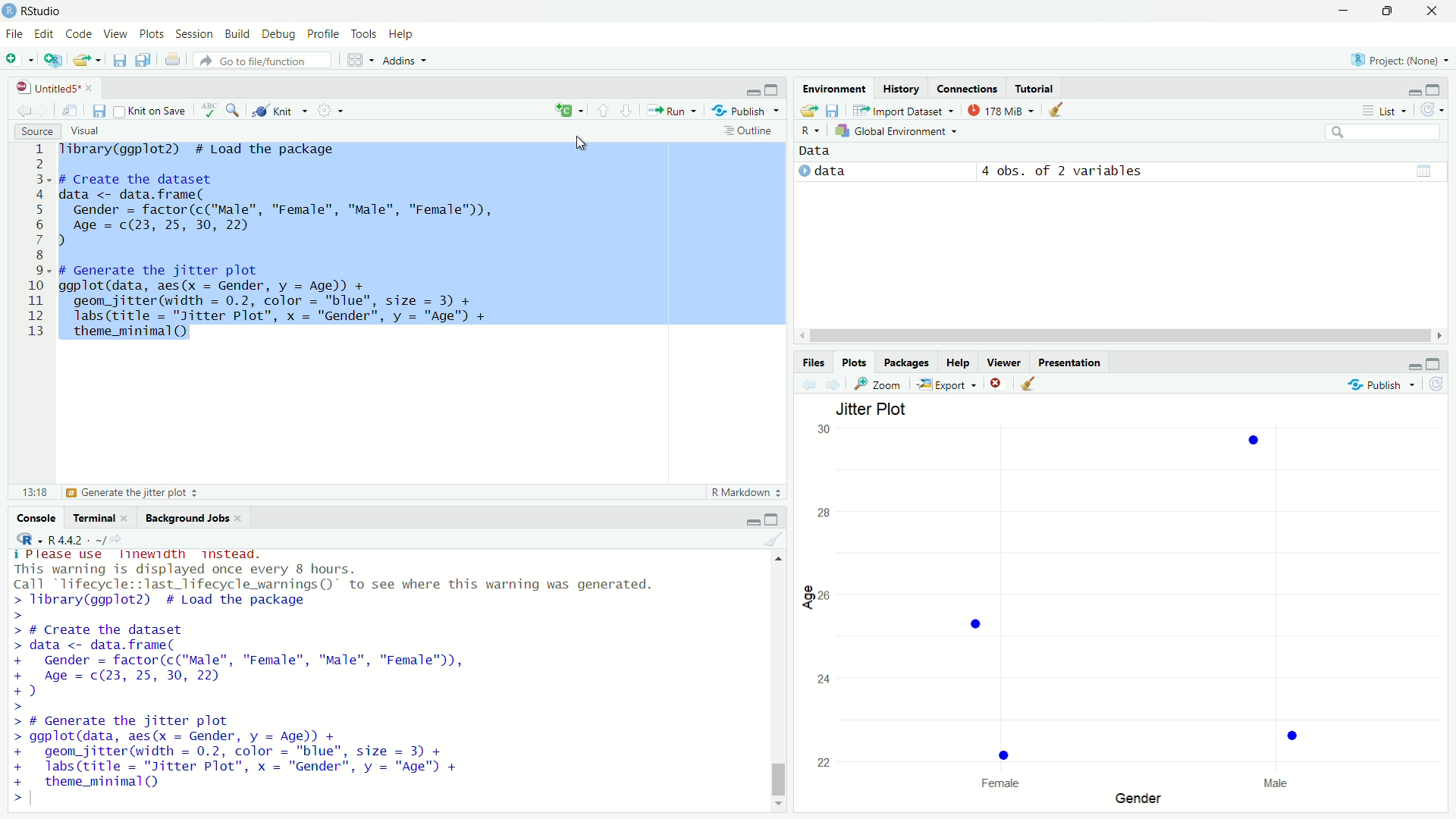  Describe the element at coordinates (1439, 335) in the screenshot. I see `move right` at that location.